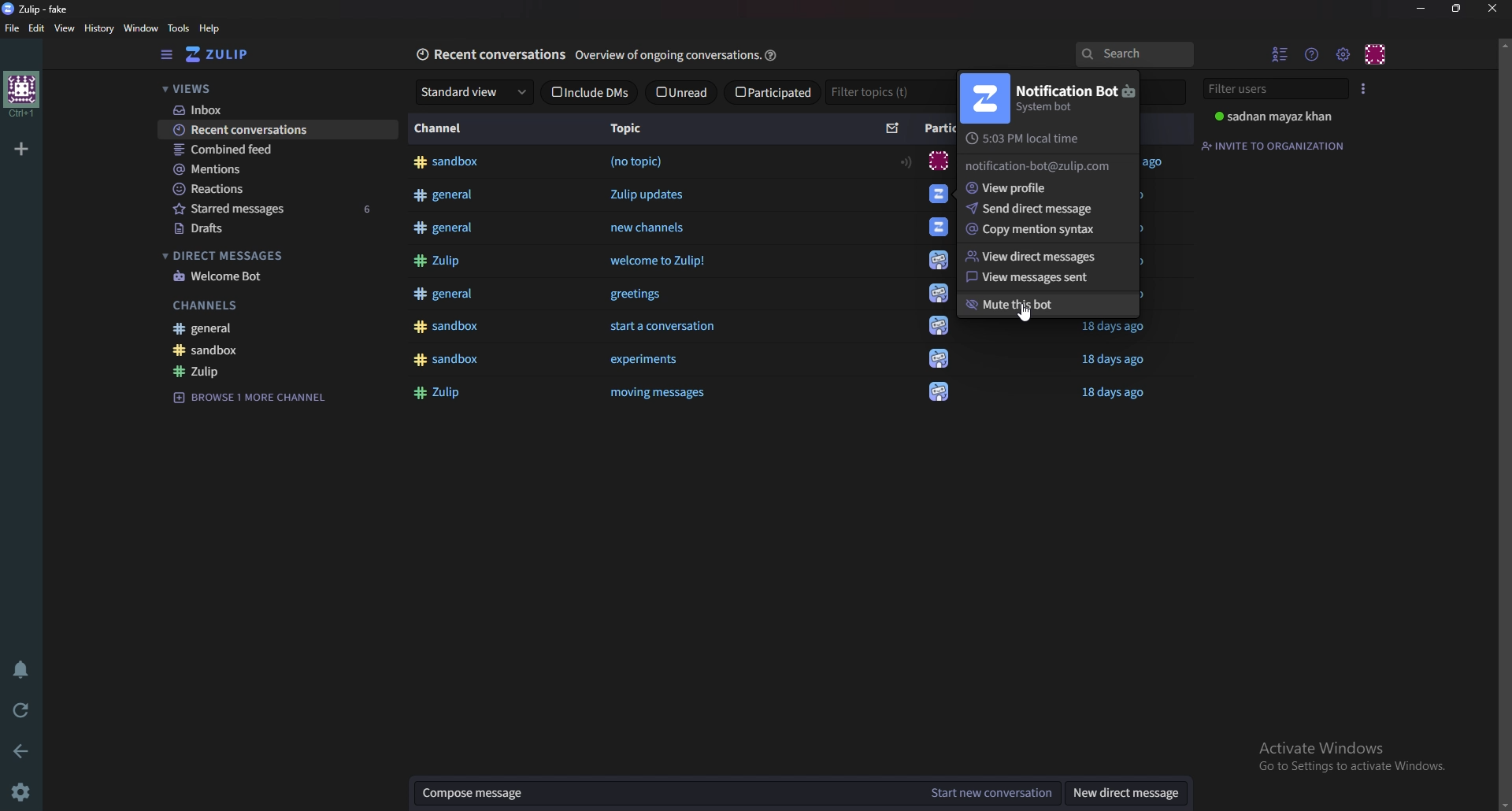  What do you see at coordinates (448, 163) in the screenshot?
I see `#sandbox` at bounding box center [448, 163].